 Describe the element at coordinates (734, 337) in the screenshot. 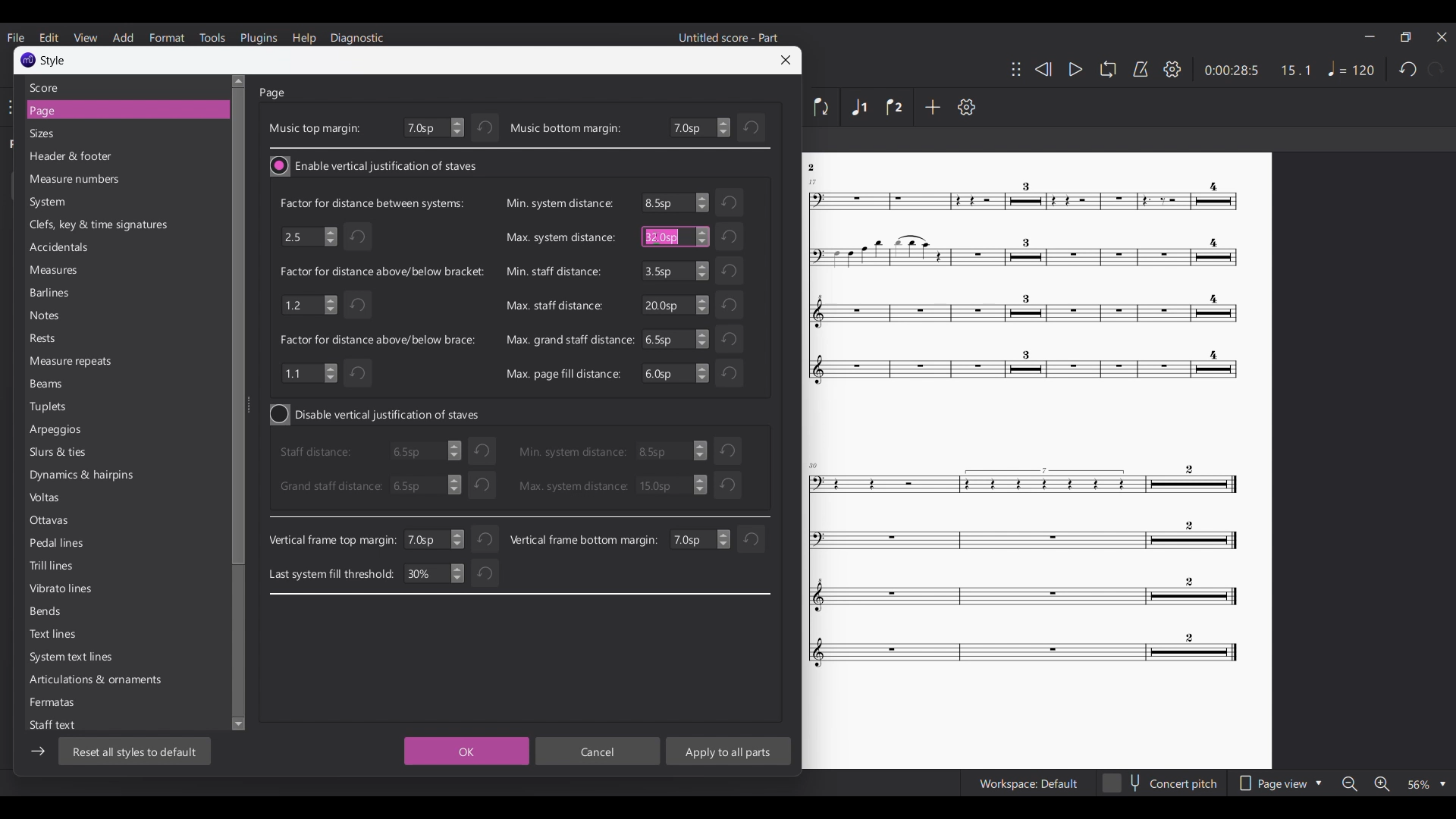

I see `` at that location.